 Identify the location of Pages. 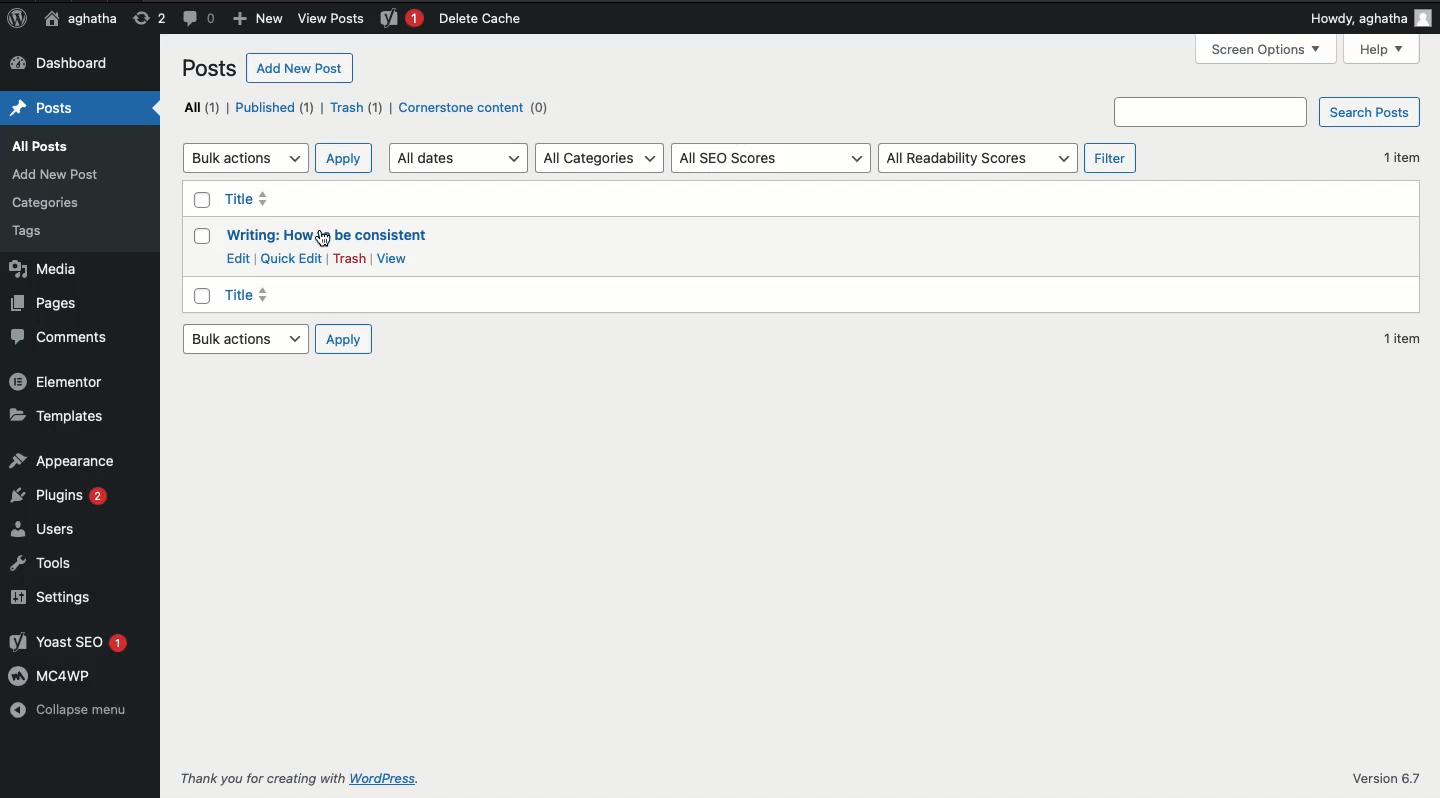
(47, 305).